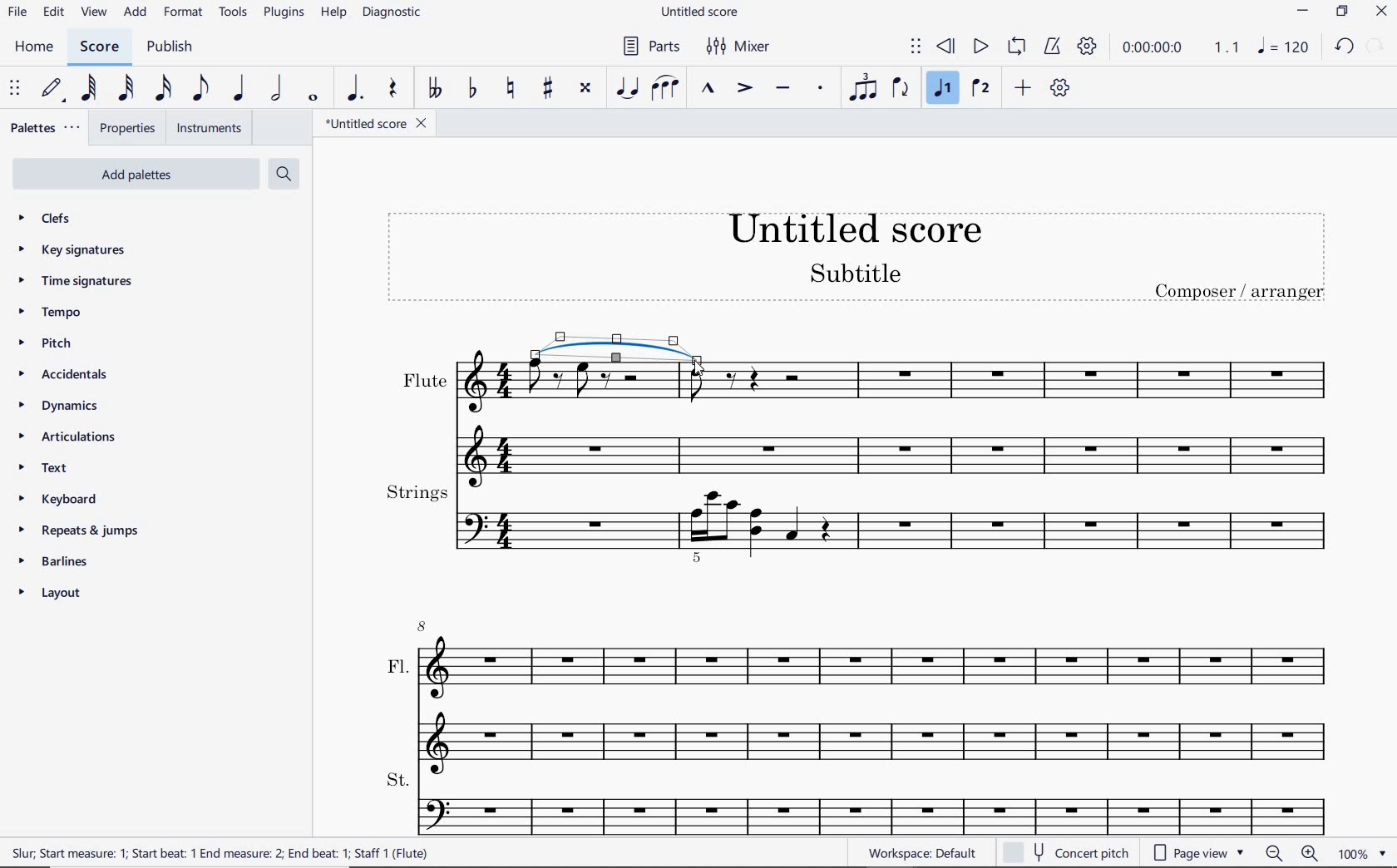  Describe the element at coordinates (355, 89) in the screenshot. I see `AUGMENTATION DOT` at that location.